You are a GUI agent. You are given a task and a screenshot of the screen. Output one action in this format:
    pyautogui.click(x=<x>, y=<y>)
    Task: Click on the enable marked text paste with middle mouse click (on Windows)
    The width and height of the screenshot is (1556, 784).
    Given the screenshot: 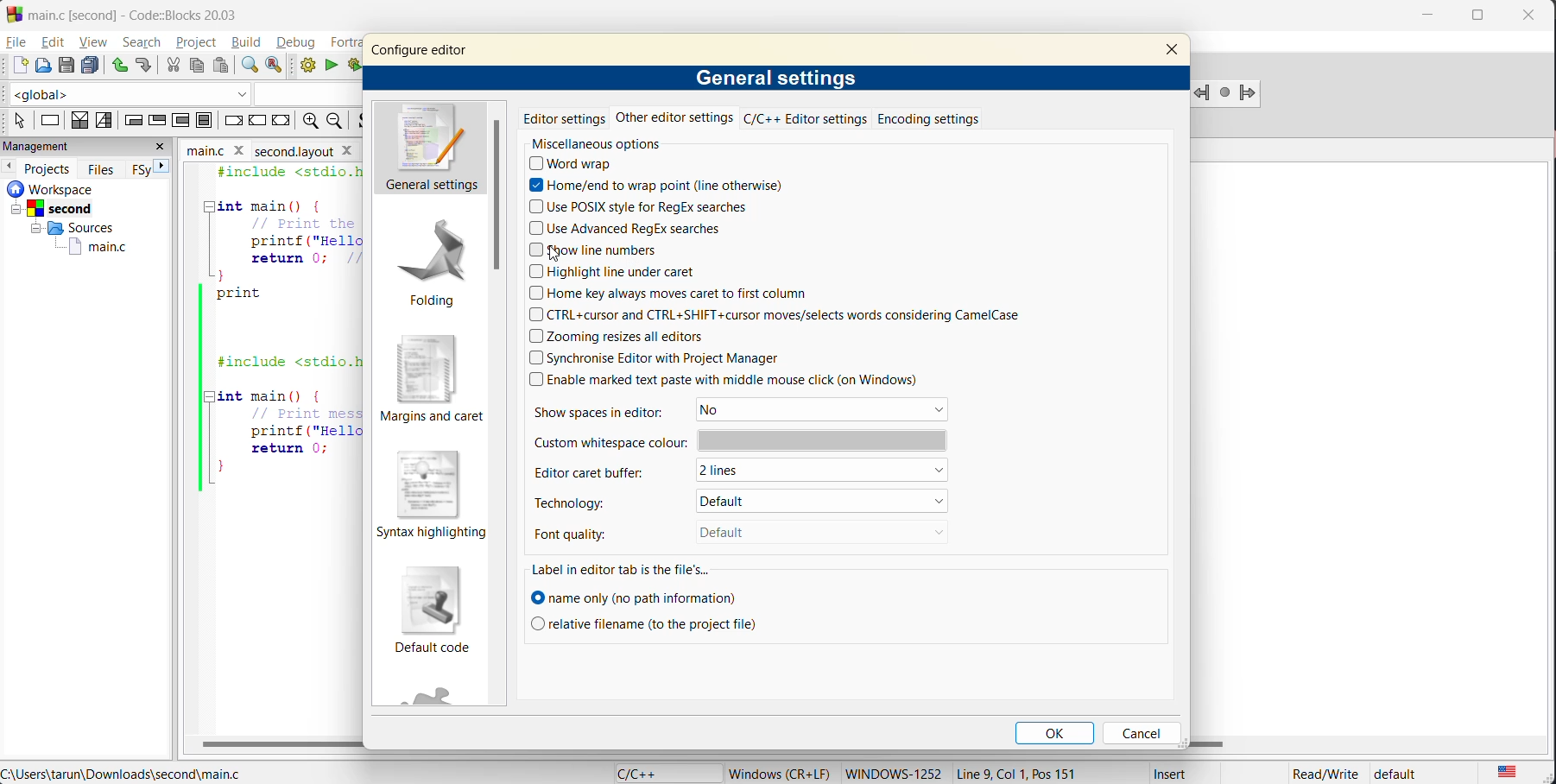 What is the action you would take?
    pyautogui.click(x=728, y=379)
    